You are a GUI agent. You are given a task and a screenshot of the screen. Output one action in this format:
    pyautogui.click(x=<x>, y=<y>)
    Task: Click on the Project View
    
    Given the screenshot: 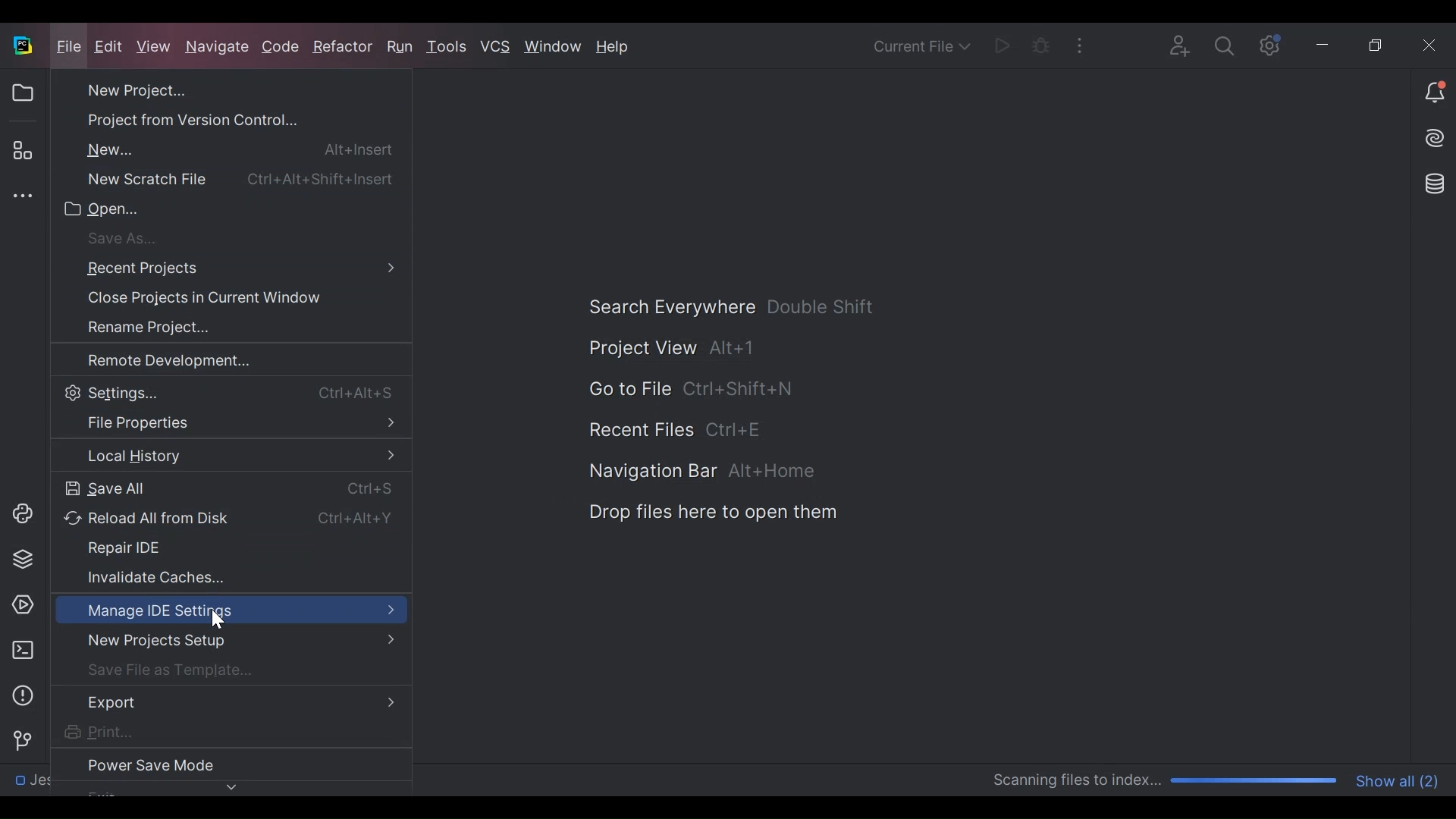 What is the action you would take?
    pyautogui.click(x=673, y=348)
    